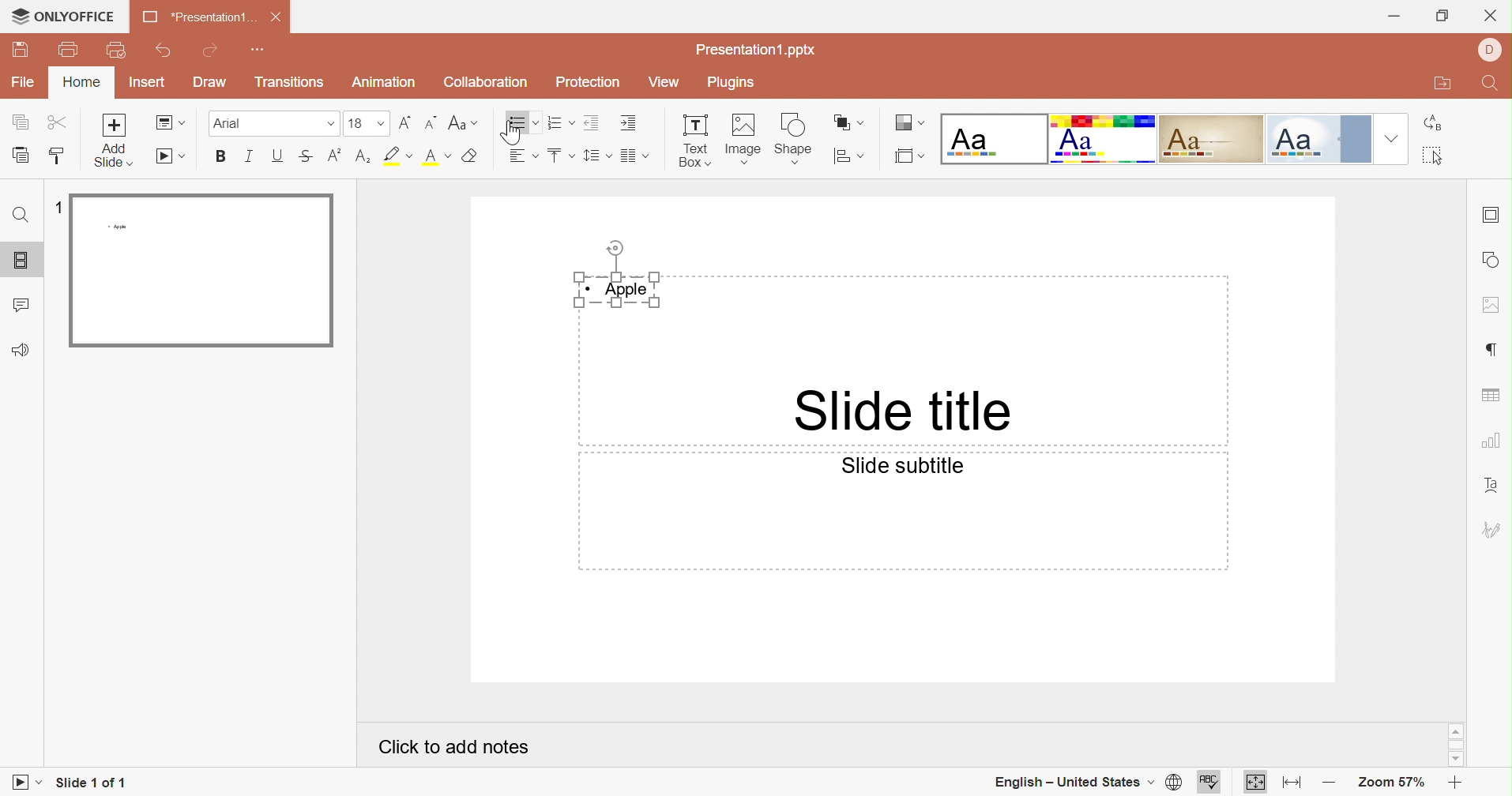 The image size is (1512, 796). I want to click on Paste, so click(21, 157).